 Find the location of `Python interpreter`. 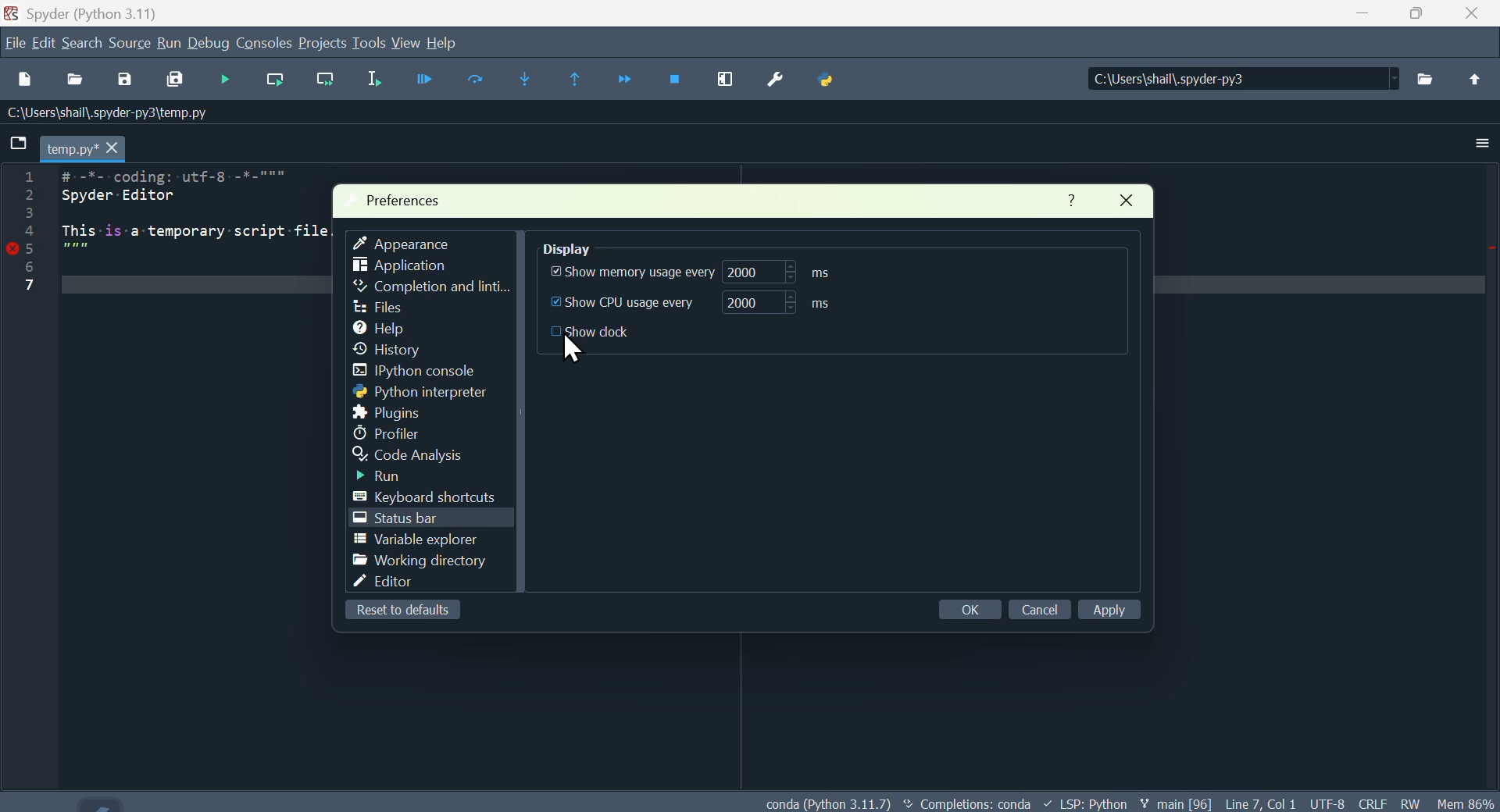

Python interpreter is located at coordinates (422, 393).